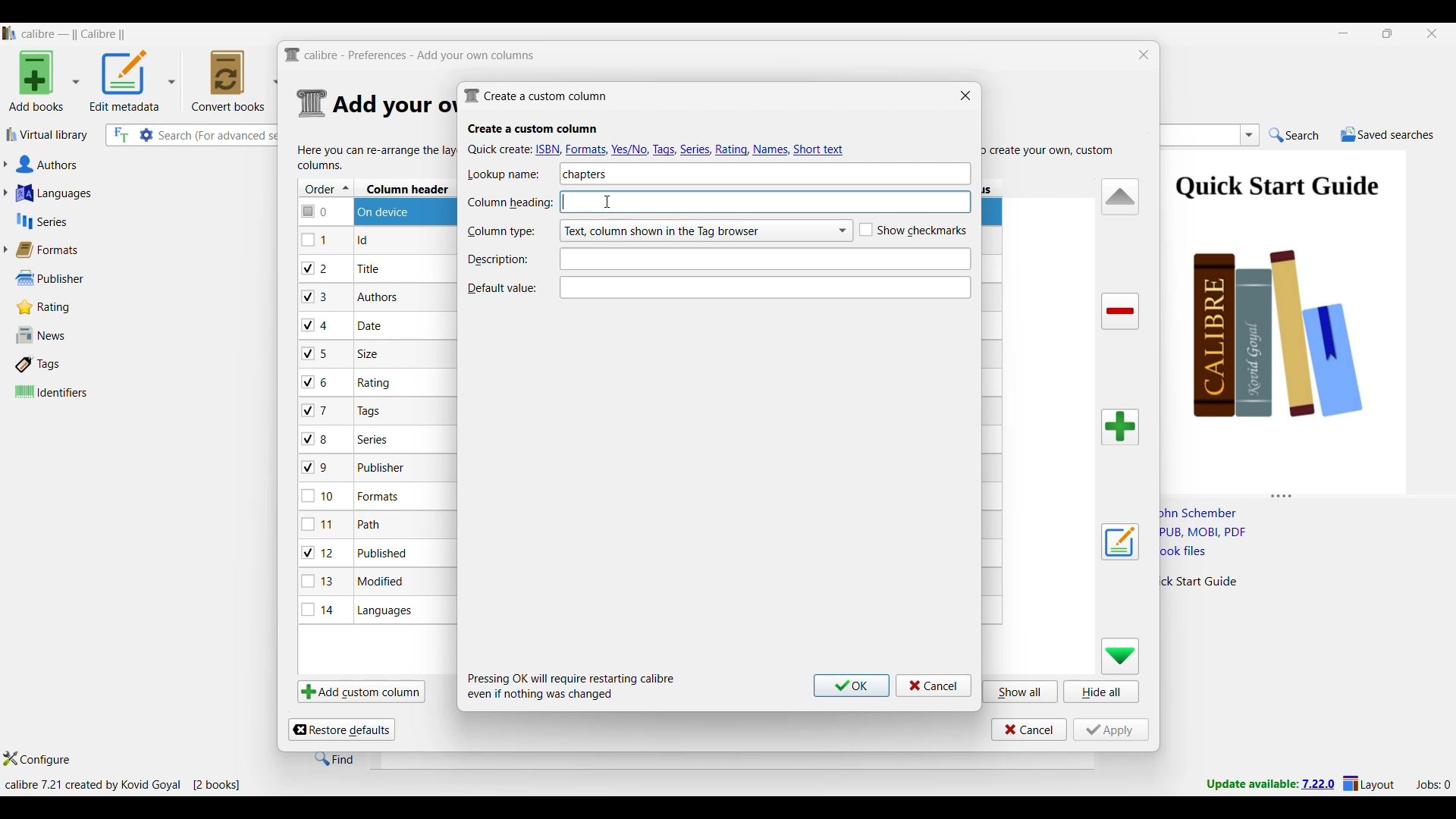 This screenshot has height=819, width=1456. What do you see at coordinates (120, 135) in the screenshot?
I see `Search the full text of all books` at bounding box center [120, 135].